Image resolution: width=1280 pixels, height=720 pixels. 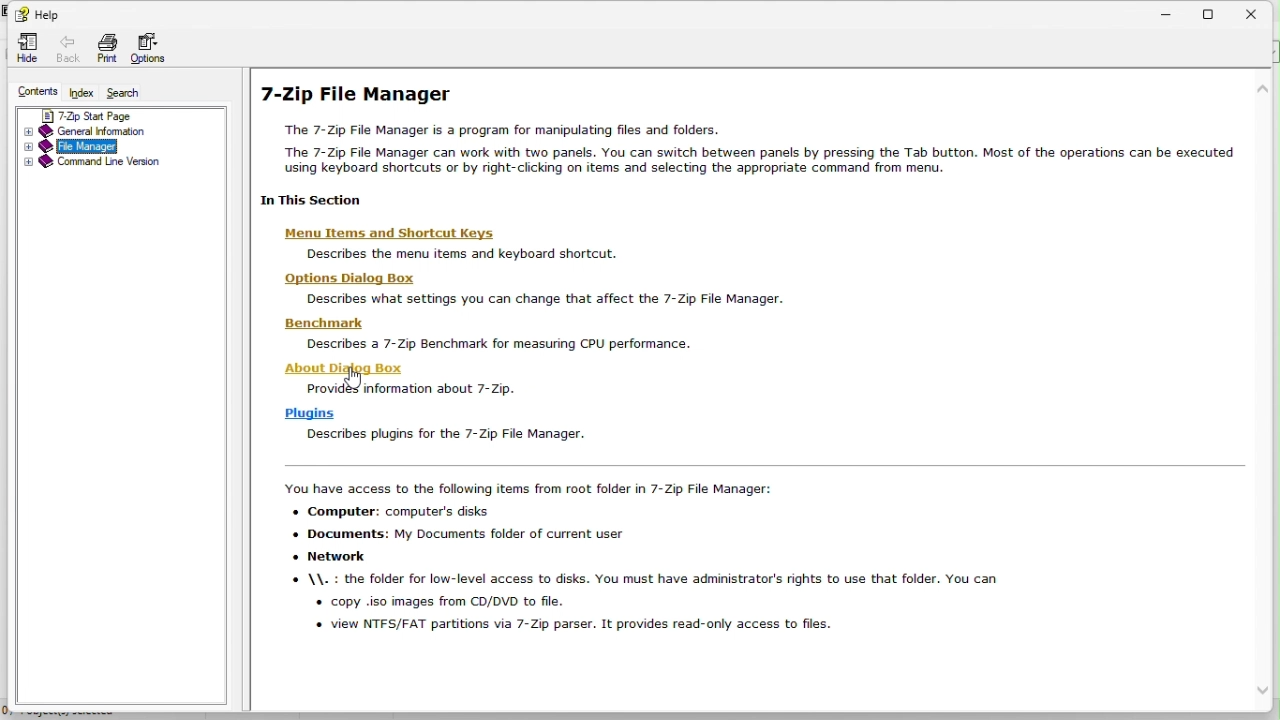 What do you see at coordinates (29, 91) in the screenshot?
I see `Content` at bounding box center [29, 91].